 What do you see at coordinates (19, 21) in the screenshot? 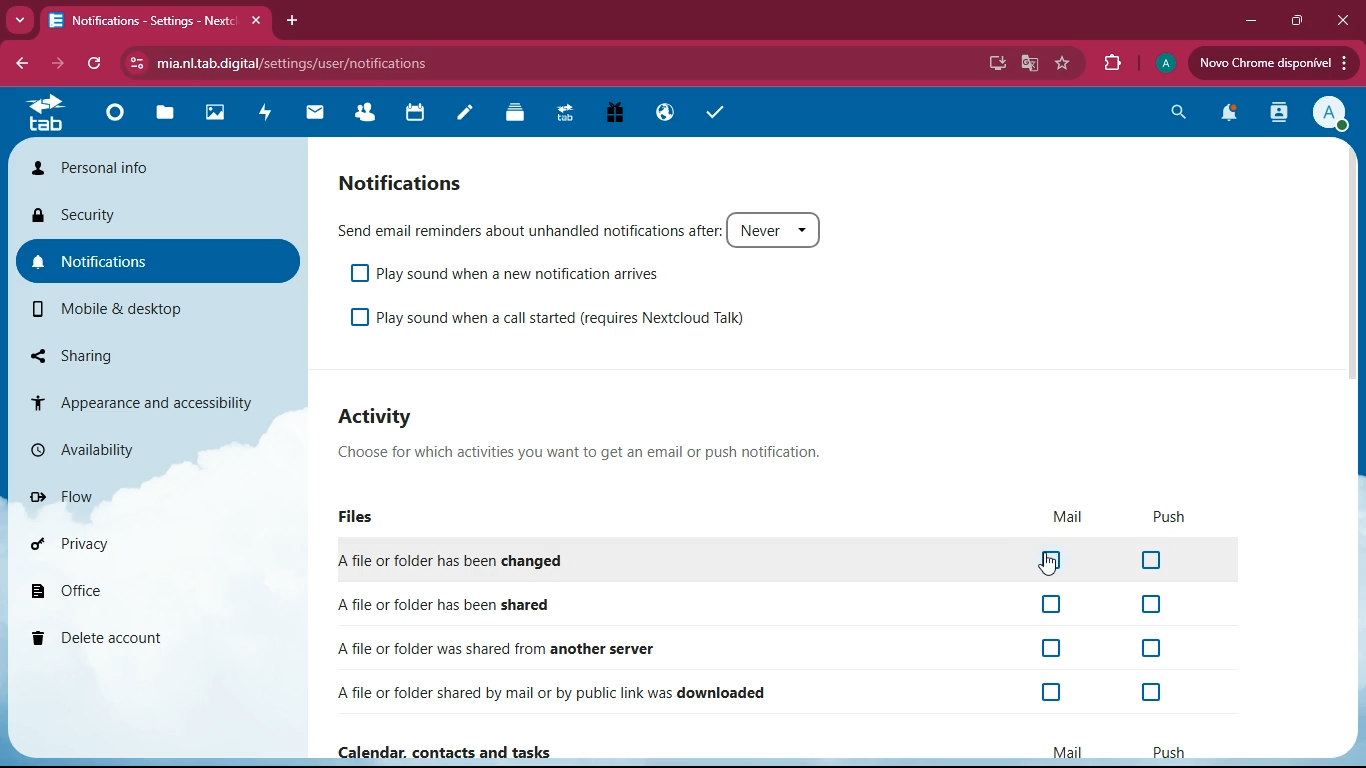
I see `more` at bounding box center [19, 21].